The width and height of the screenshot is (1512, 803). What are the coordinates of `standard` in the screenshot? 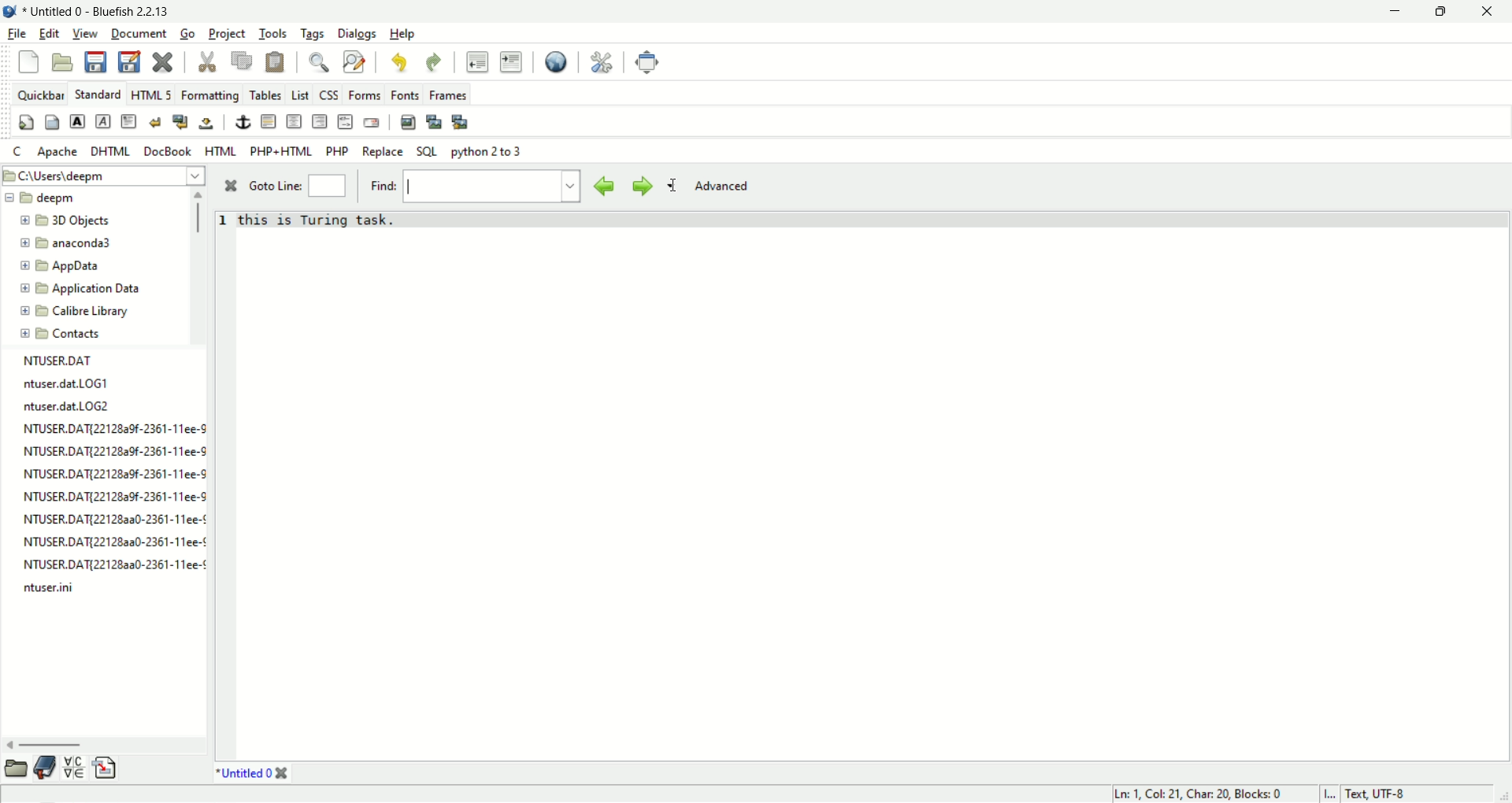 It's located at (98, 93).